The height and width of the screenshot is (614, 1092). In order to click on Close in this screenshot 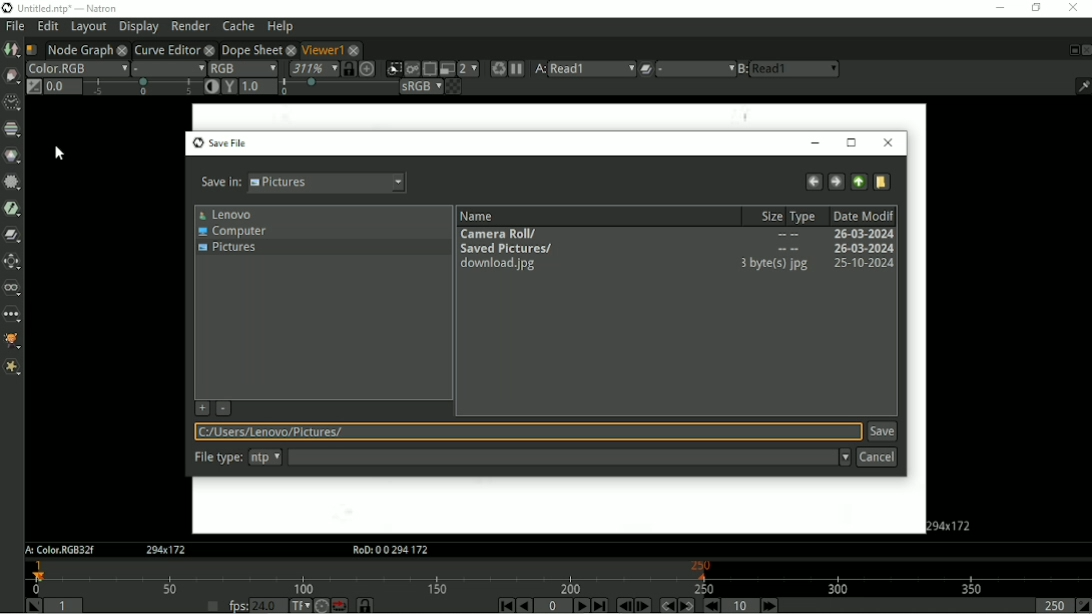, I will do `click(1073, 8)`.